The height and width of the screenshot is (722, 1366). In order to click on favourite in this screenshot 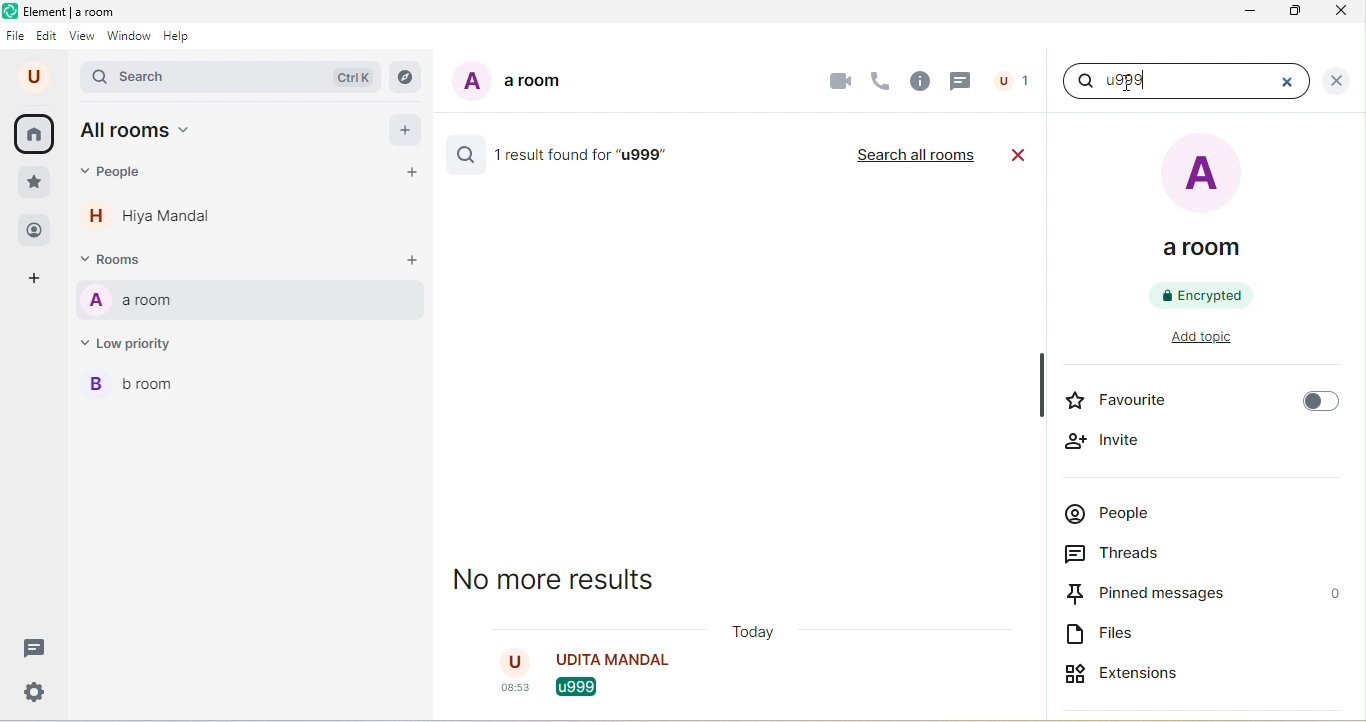, I will do `click(1199, 403)`.